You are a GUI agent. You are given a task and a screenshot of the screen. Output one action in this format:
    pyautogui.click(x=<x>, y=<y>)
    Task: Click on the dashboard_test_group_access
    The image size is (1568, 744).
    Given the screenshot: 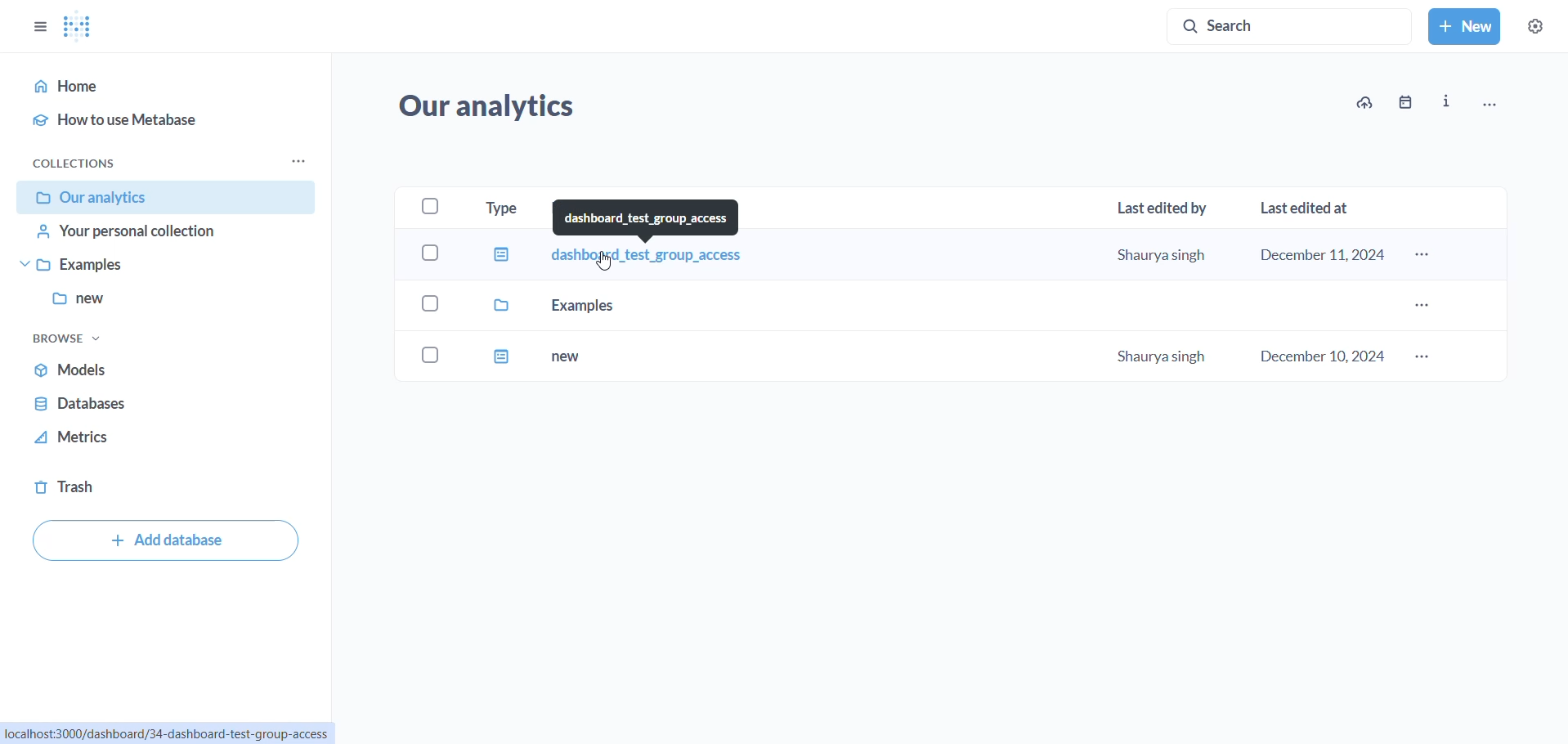 What is the action you would take?
    pyautogui.click(x=824, y=258)
    